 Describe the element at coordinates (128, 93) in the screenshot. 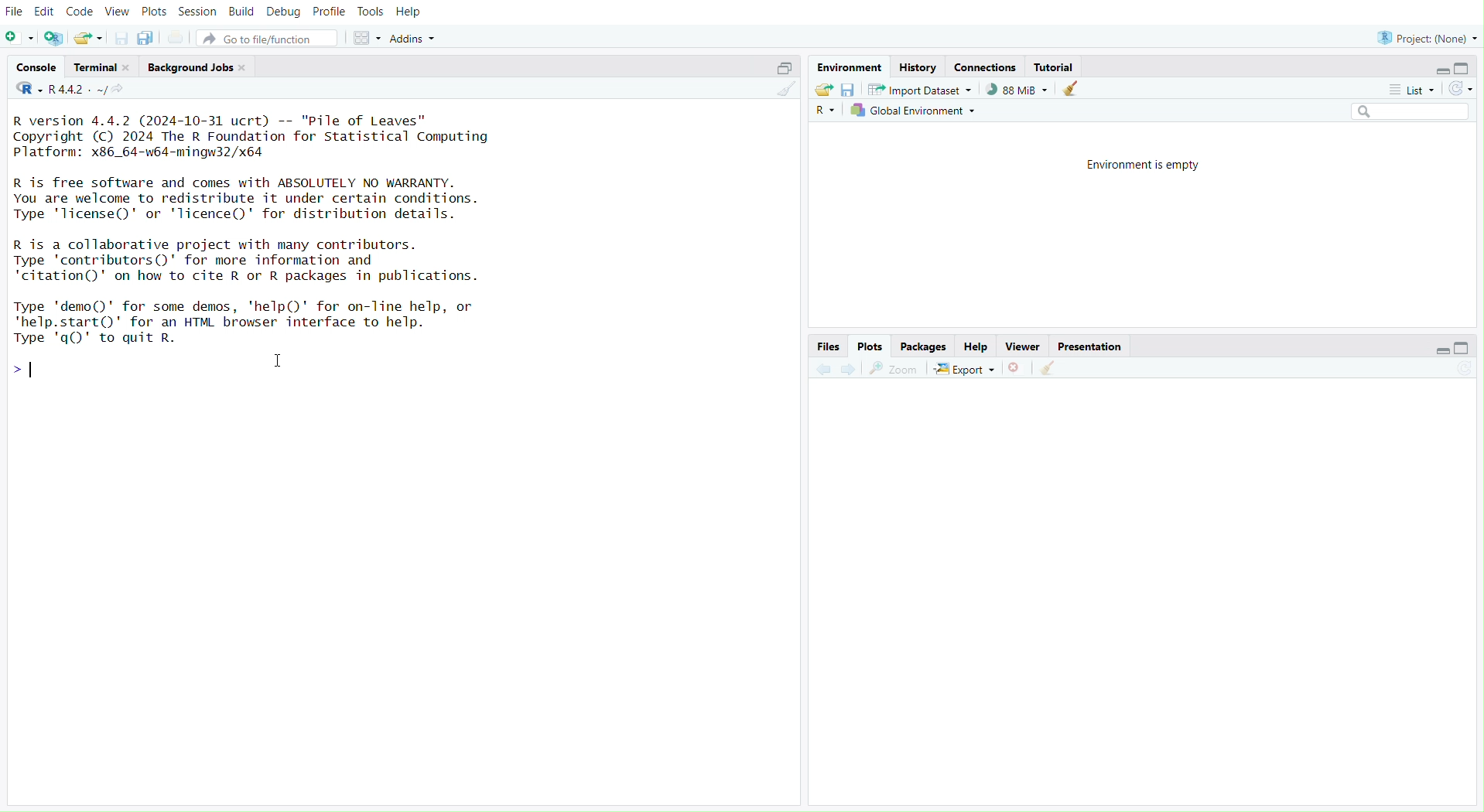

I see `View the current working directory` at that location.